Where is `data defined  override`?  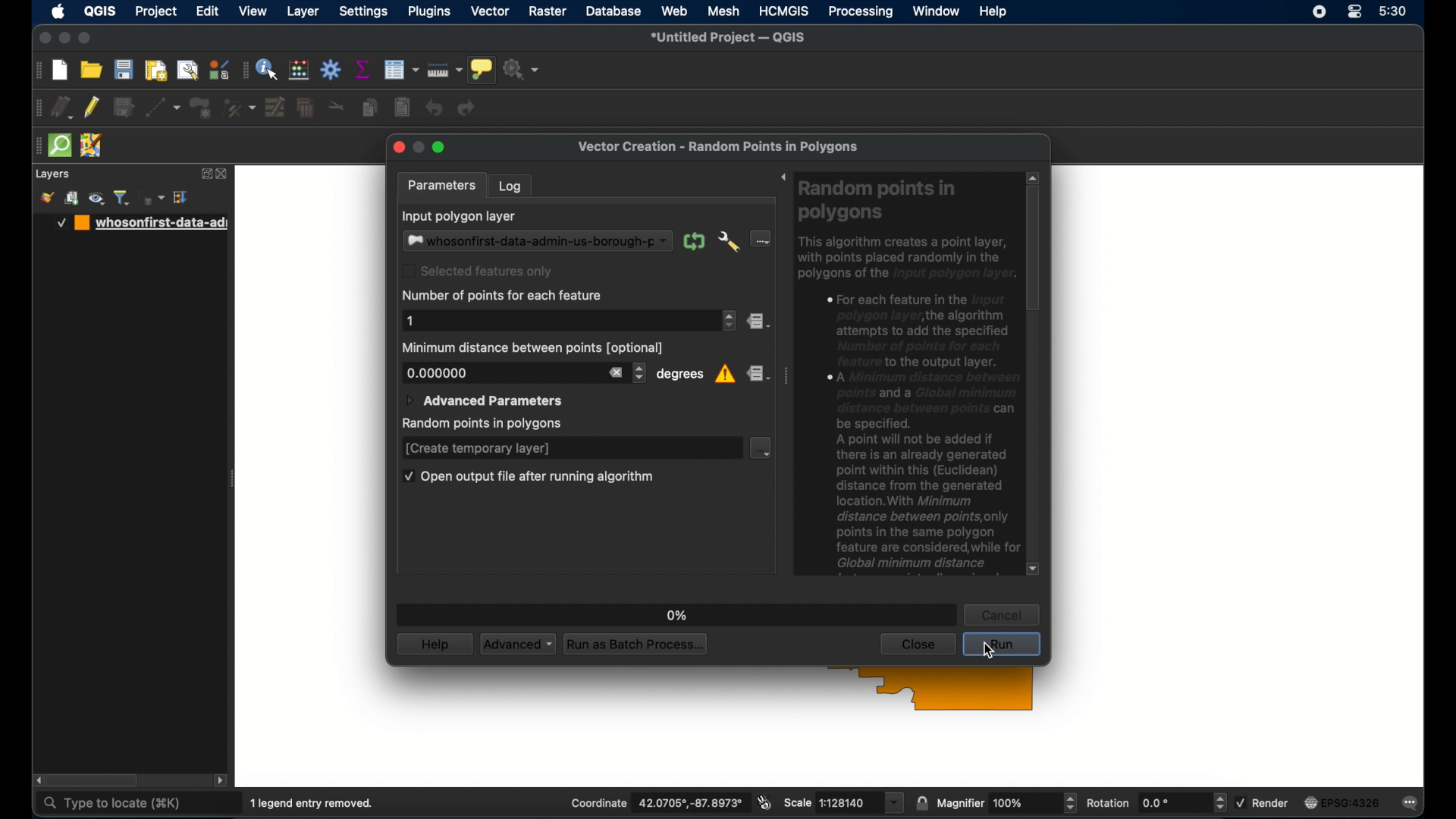 data defined  override is located at coordinates (761, 321).